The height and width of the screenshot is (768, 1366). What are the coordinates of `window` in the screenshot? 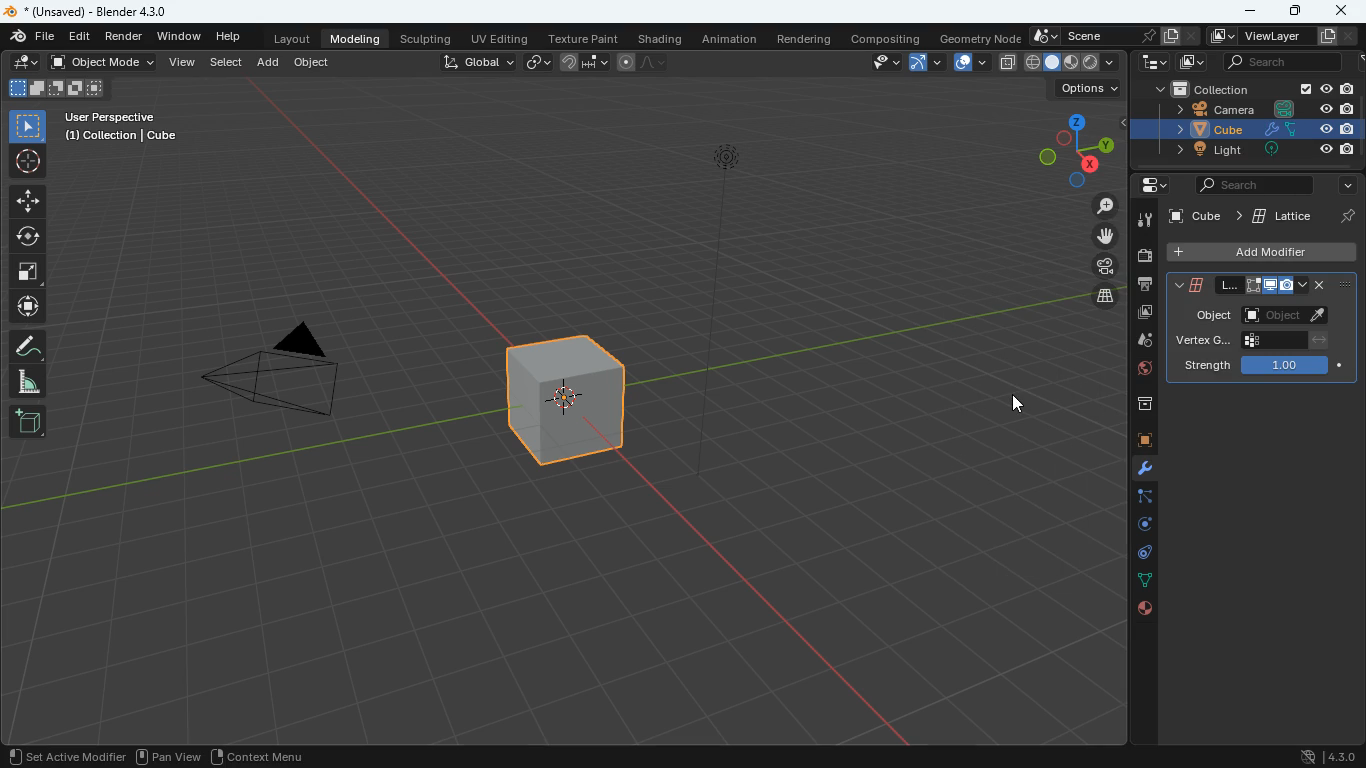 It's located at (180, 36).